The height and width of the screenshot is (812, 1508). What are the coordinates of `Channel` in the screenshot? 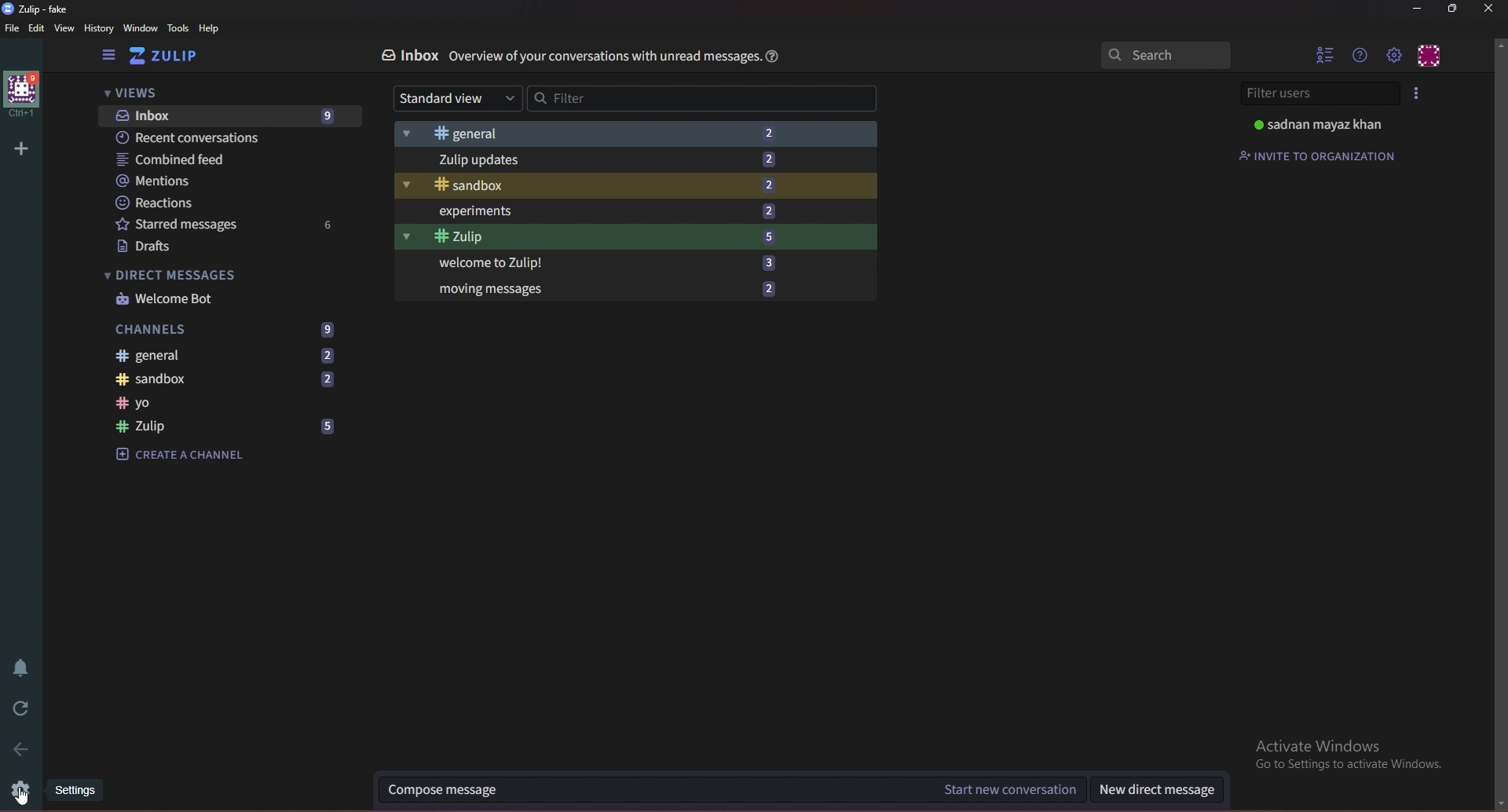 It's located at (232, 403).